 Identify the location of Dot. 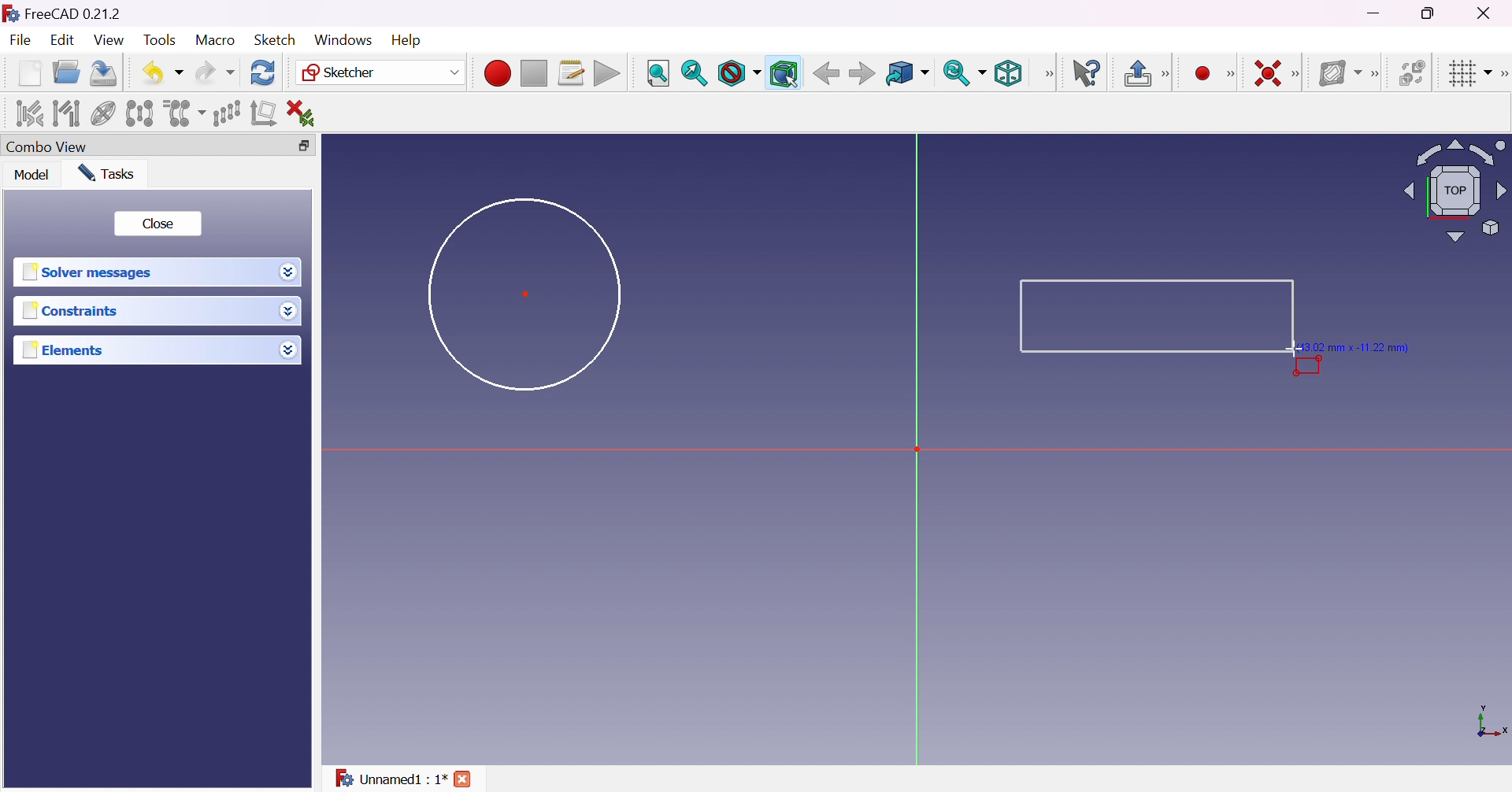
(527, 293).